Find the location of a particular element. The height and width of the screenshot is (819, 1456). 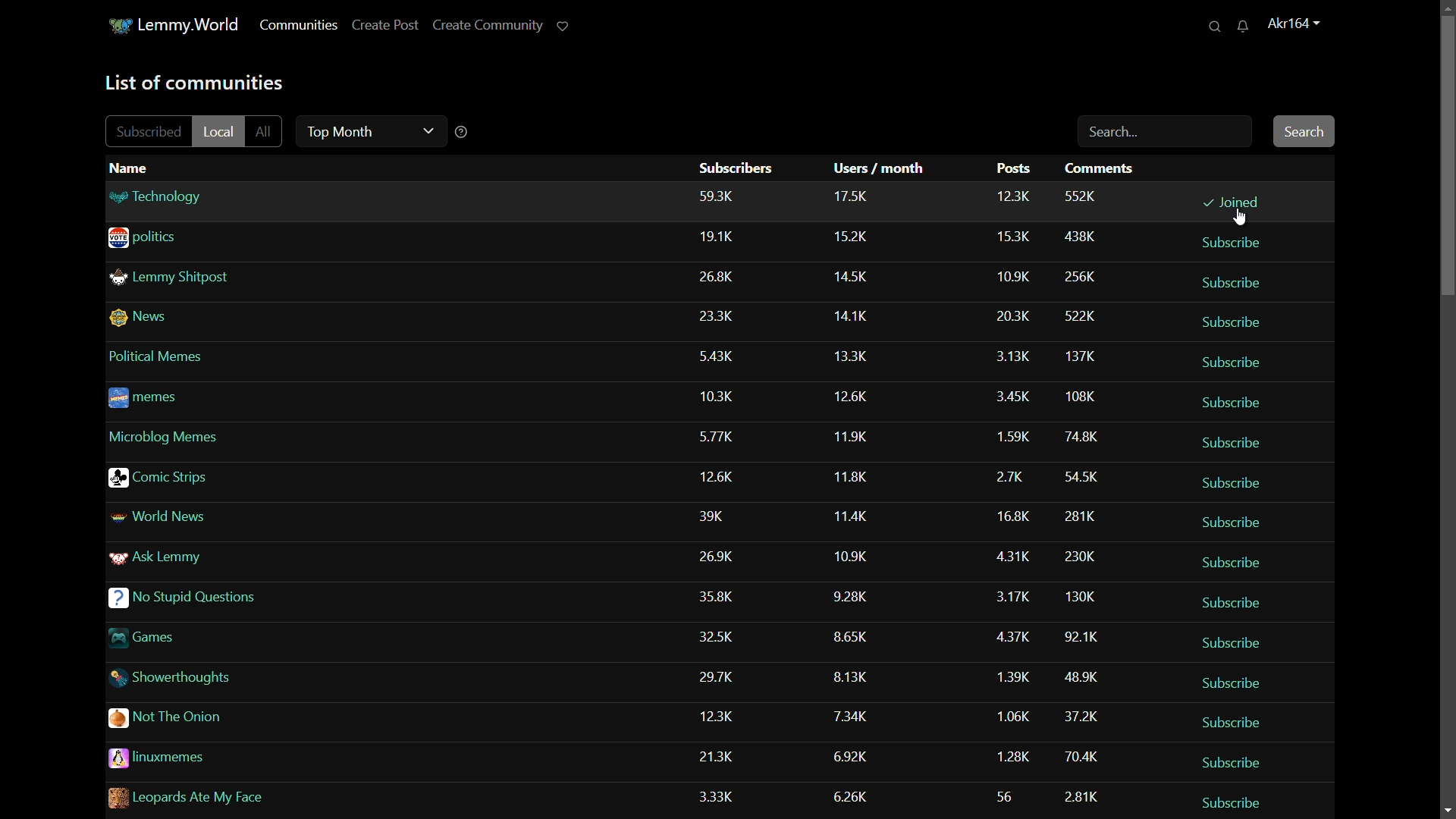

communities is located at coordinates (298, 25).